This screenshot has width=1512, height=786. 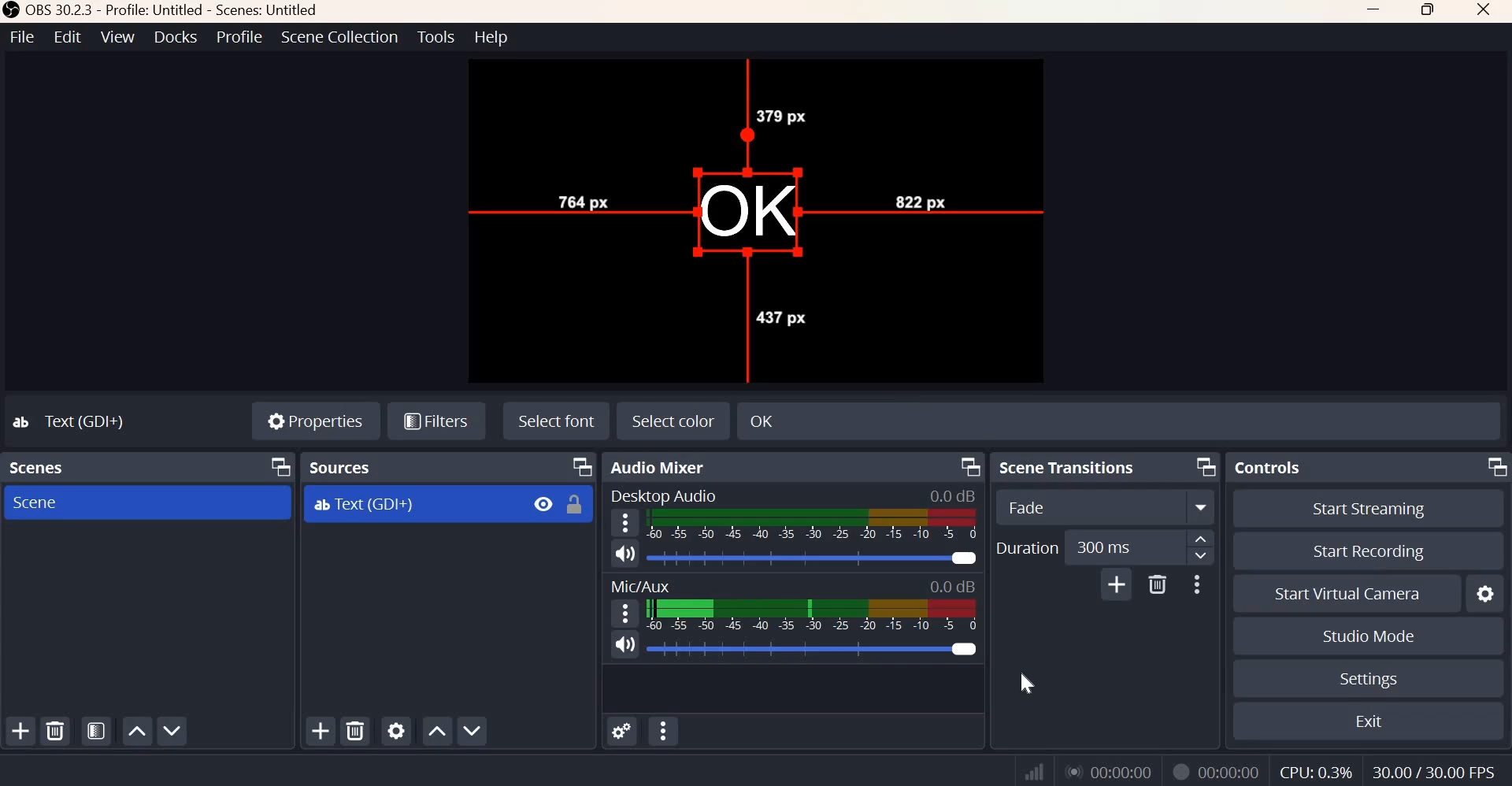 I want to click on OK, so click(x=858, y=419).